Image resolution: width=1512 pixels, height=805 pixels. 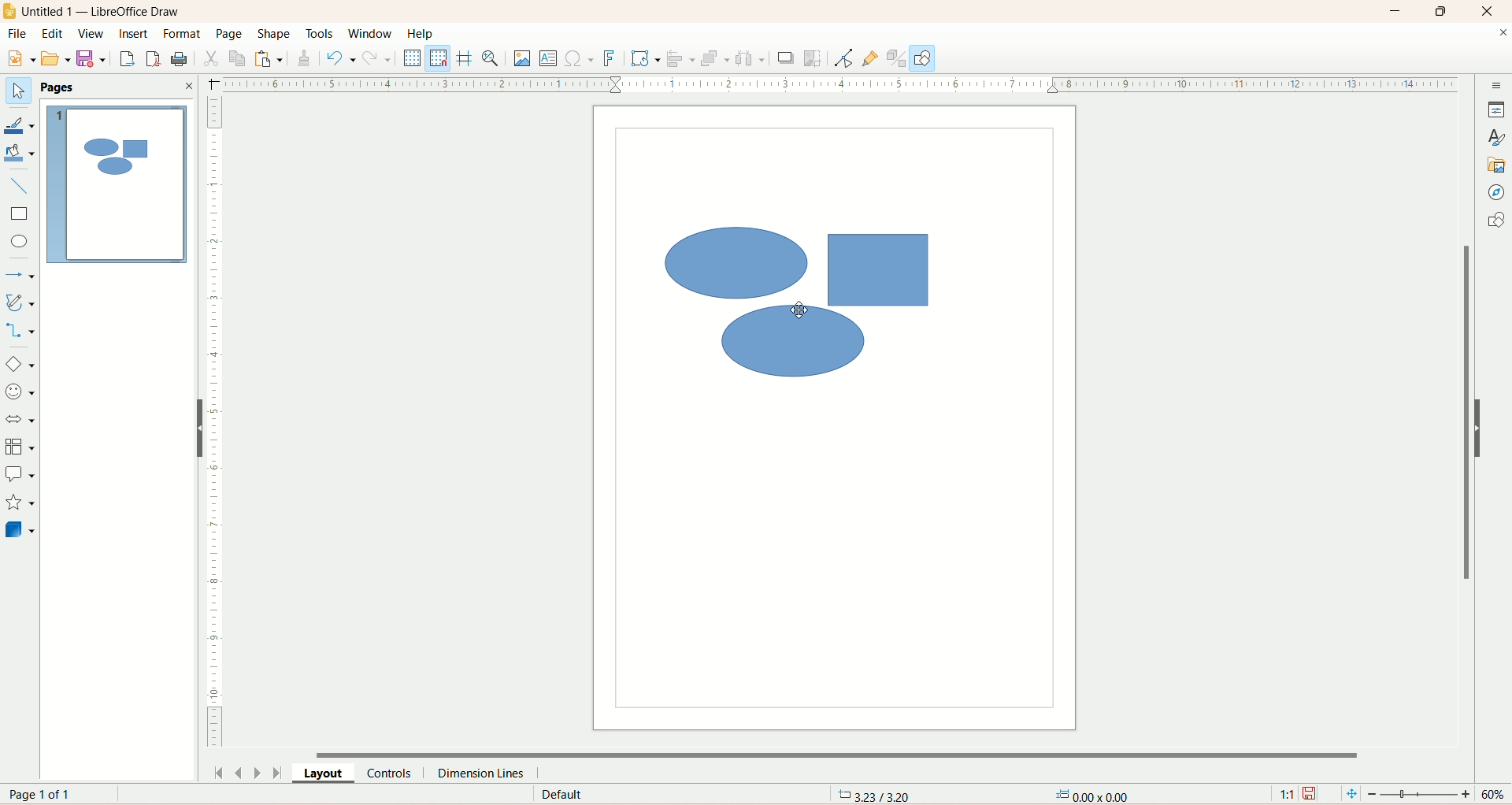 I want to click on special character, so click(x=582, y=60).